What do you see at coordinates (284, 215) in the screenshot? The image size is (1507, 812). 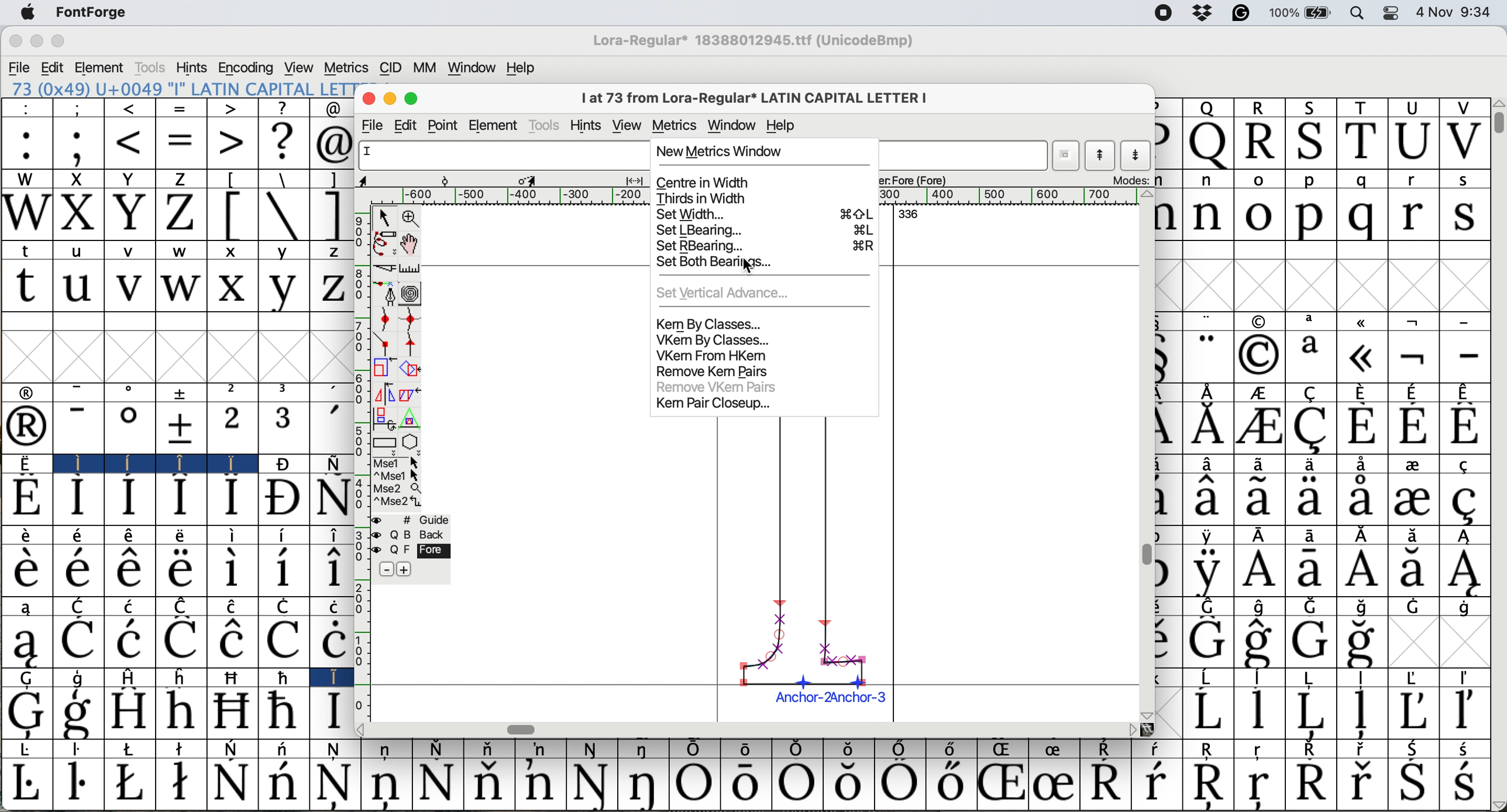 I see `\` at bounding box center [284, 215].